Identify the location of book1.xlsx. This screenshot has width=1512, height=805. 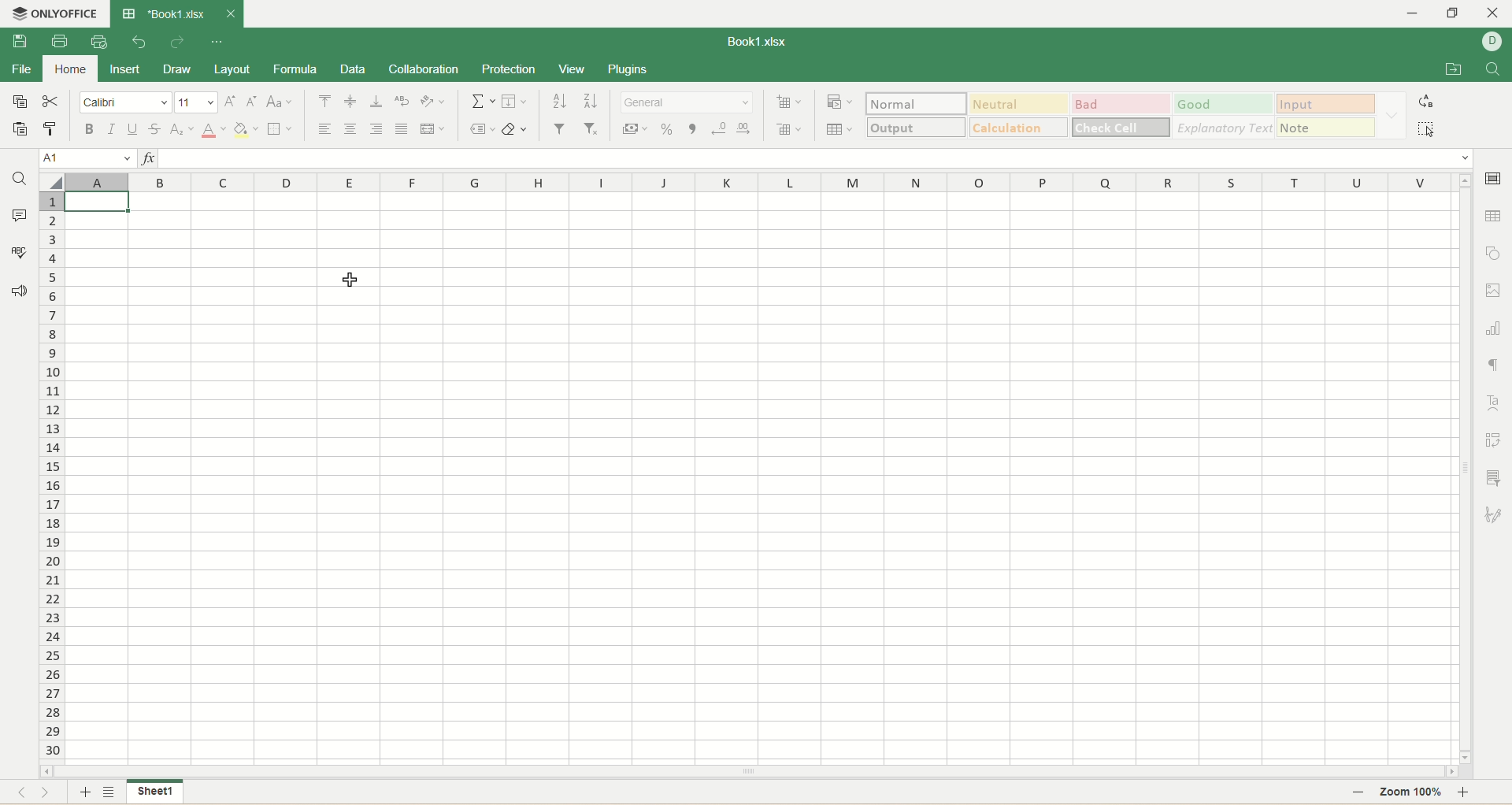
(161, 13).